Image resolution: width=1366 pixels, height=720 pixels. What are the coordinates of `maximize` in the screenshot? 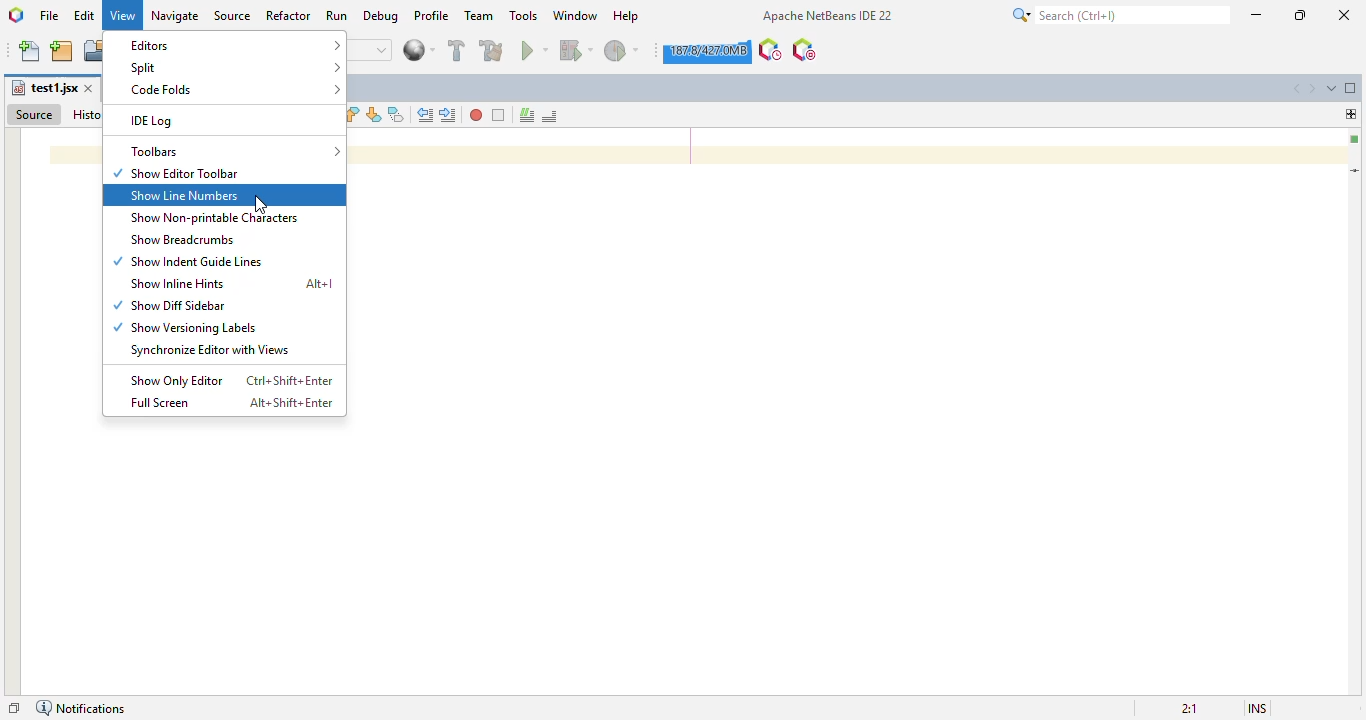 It's located at (1300, 14).